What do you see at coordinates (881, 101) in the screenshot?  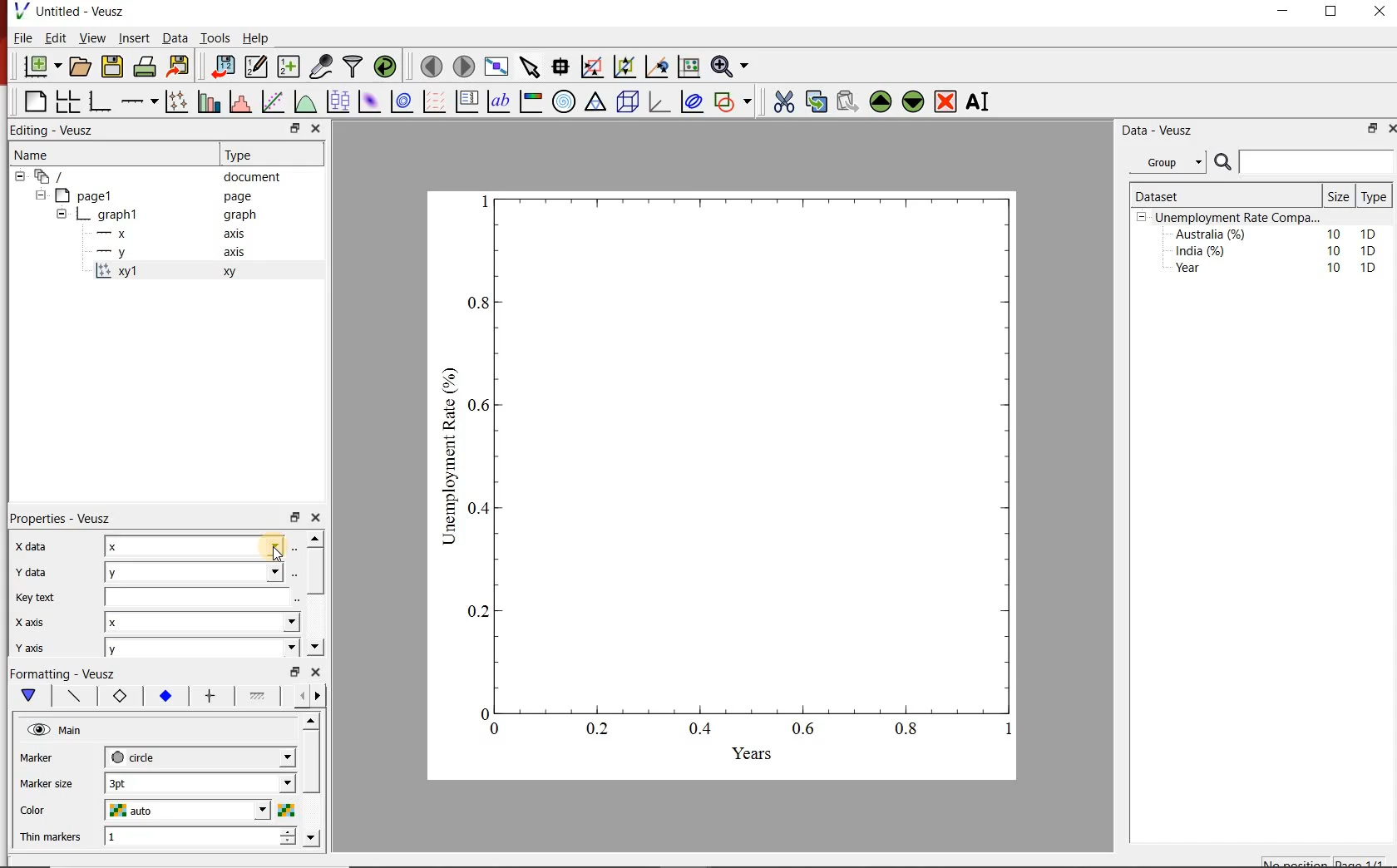 I see `move the widgets up` at bounding box center [881, 101].